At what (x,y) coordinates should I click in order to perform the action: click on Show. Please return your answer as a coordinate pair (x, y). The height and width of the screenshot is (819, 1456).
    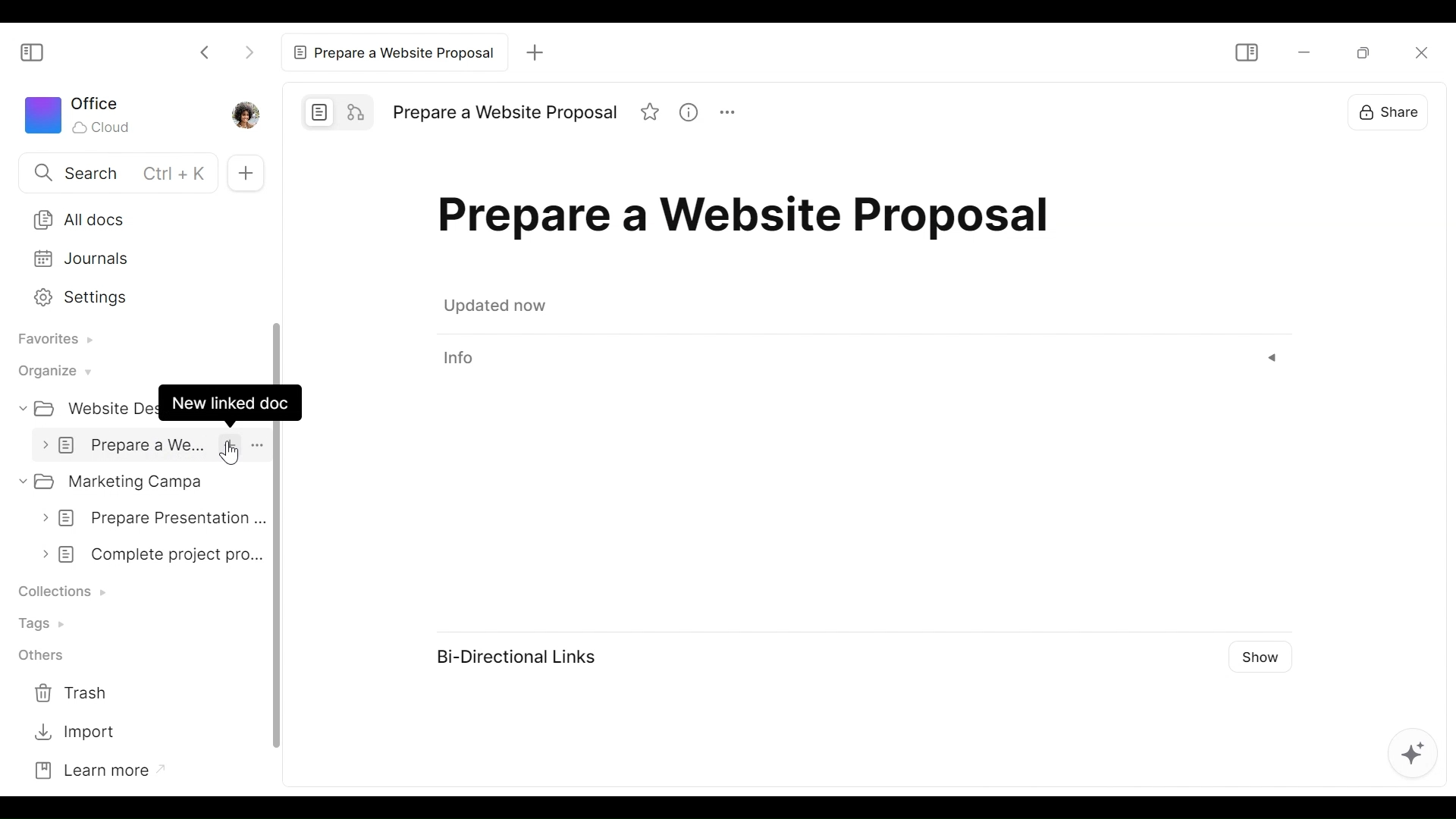
    Looking at the image, I should click on (1264, 656).